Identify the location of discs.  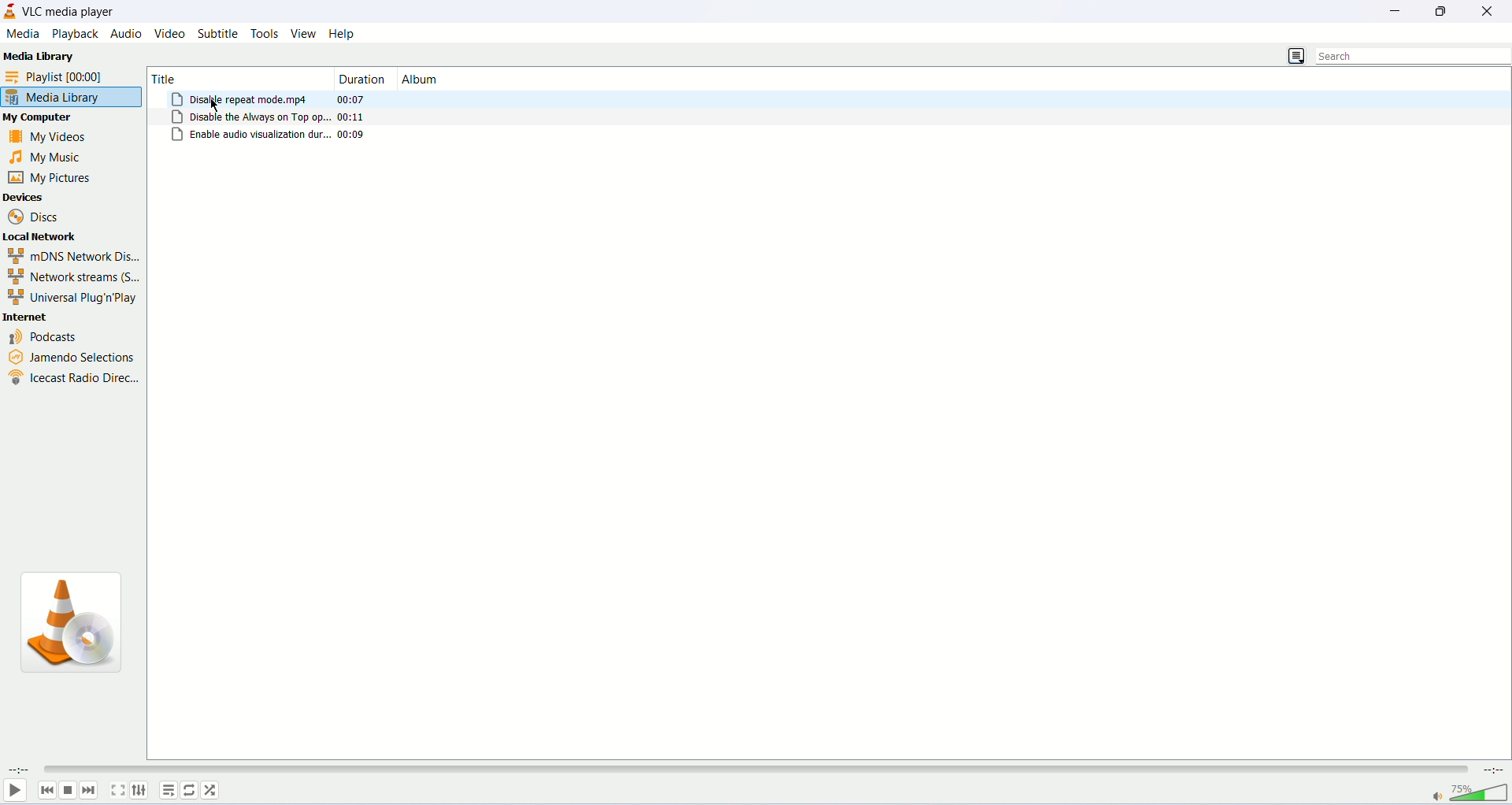
(36, 215).